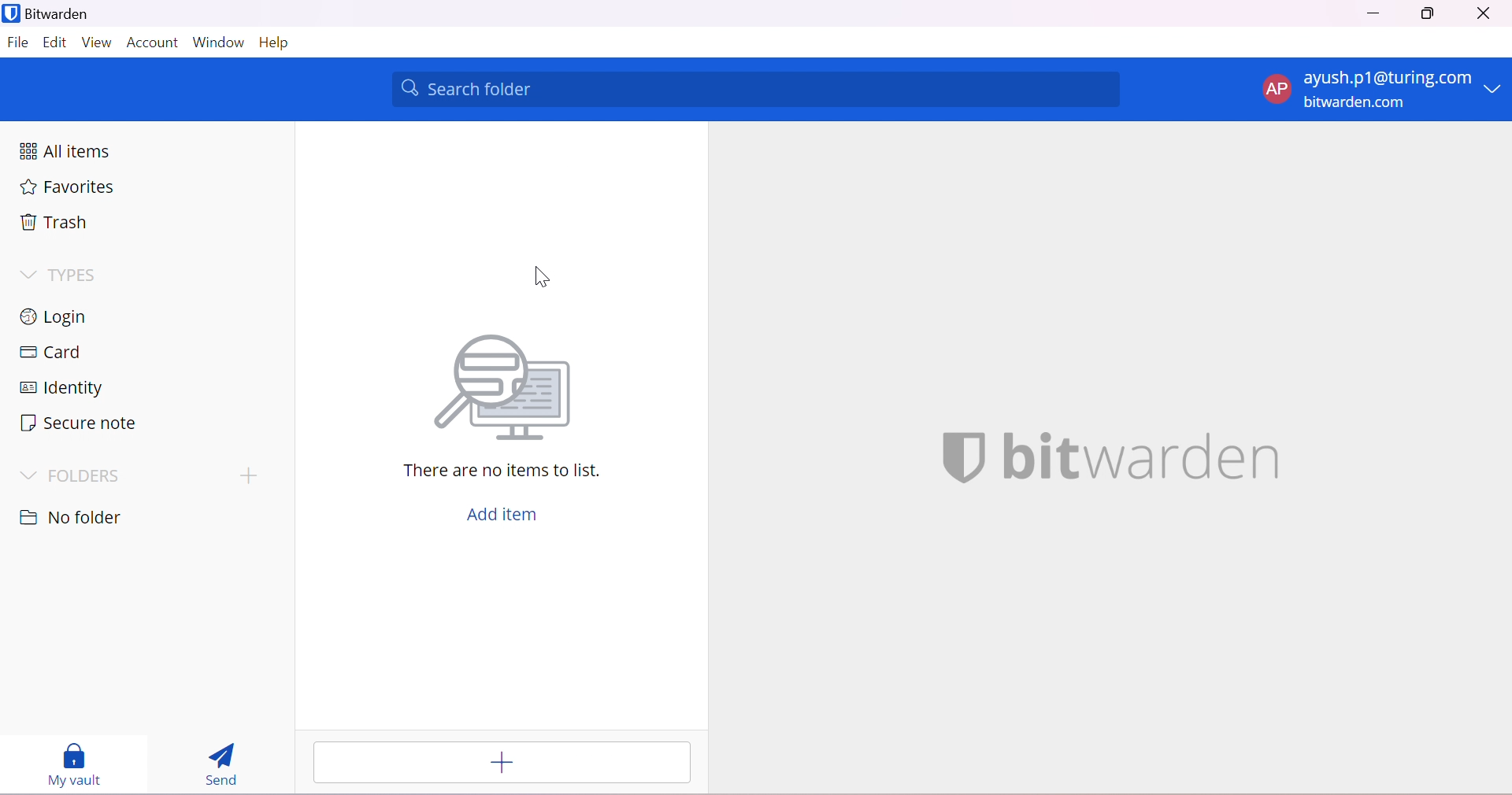  Describe the element at coordinates (154, 43) in the screenshot. I see `Account` at that location.